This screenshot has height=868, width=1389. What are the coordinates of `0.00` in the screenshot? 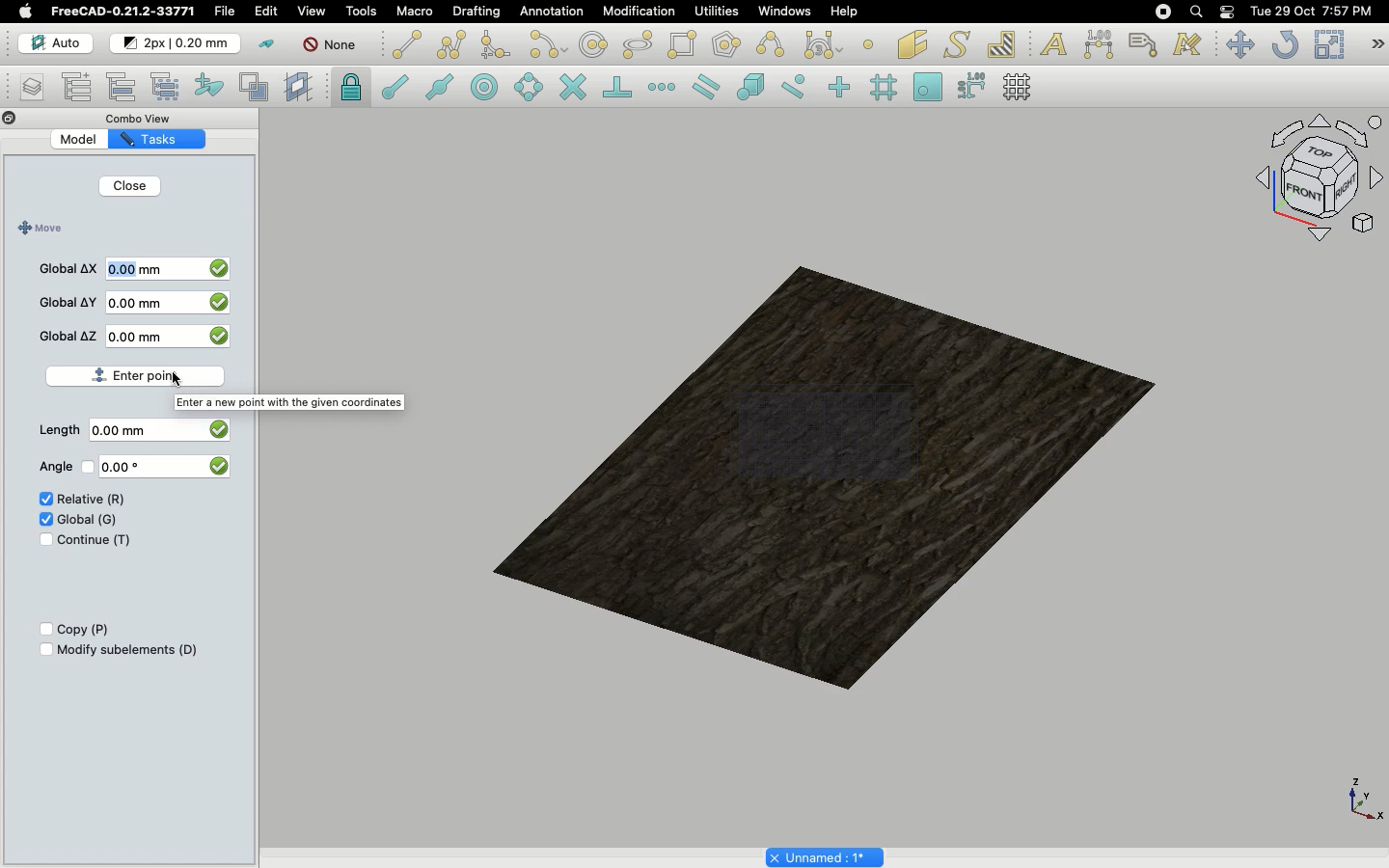 It's located at (164, 467).